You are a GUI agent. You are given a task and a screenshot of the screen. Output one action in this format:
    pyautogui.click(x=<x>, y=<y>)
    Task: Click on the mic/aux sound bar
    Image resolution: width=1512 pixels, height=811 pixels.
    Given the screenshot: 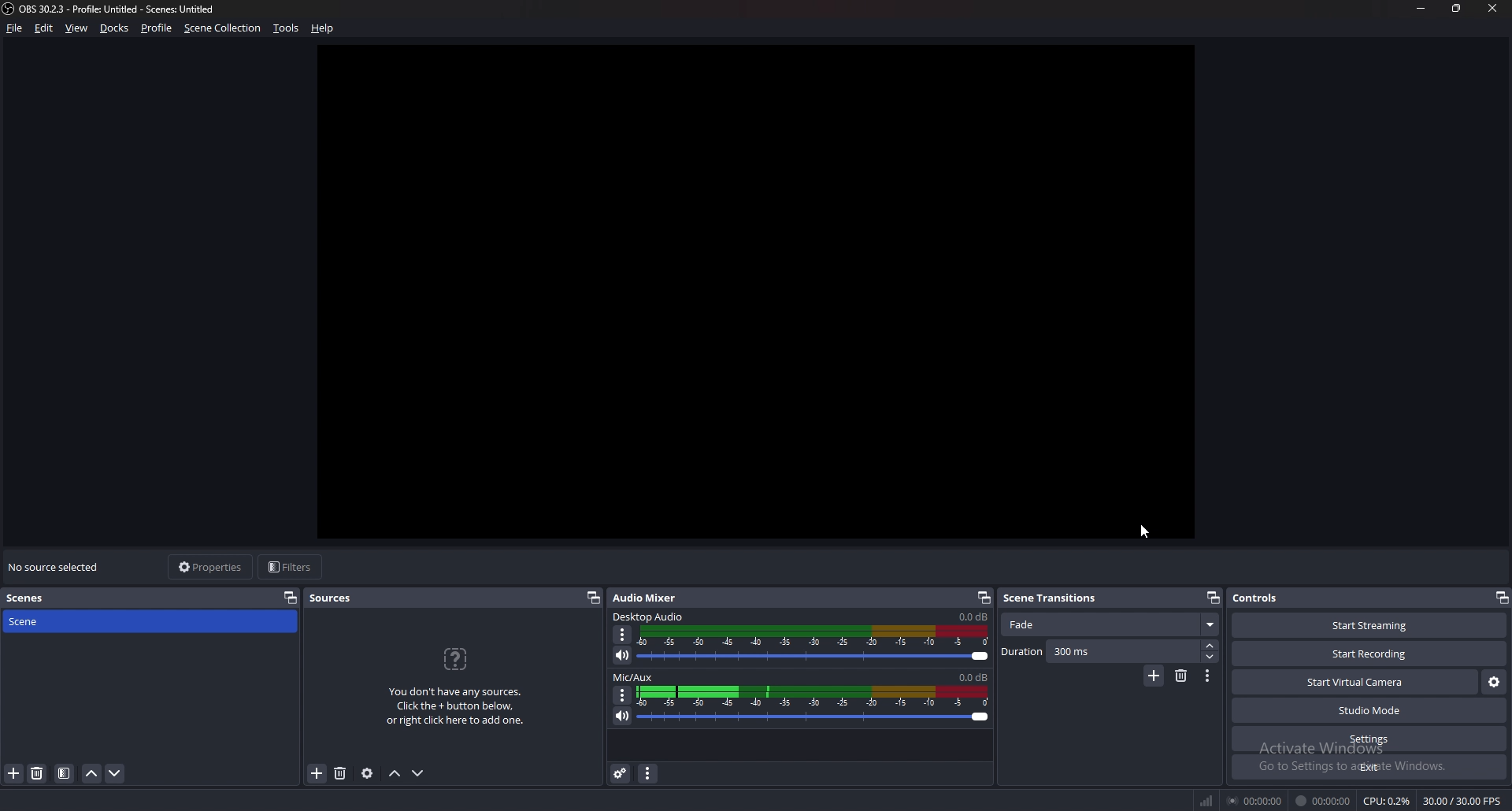 What is the action you would take?
    pyautogui.click(x=813, y=703)
    